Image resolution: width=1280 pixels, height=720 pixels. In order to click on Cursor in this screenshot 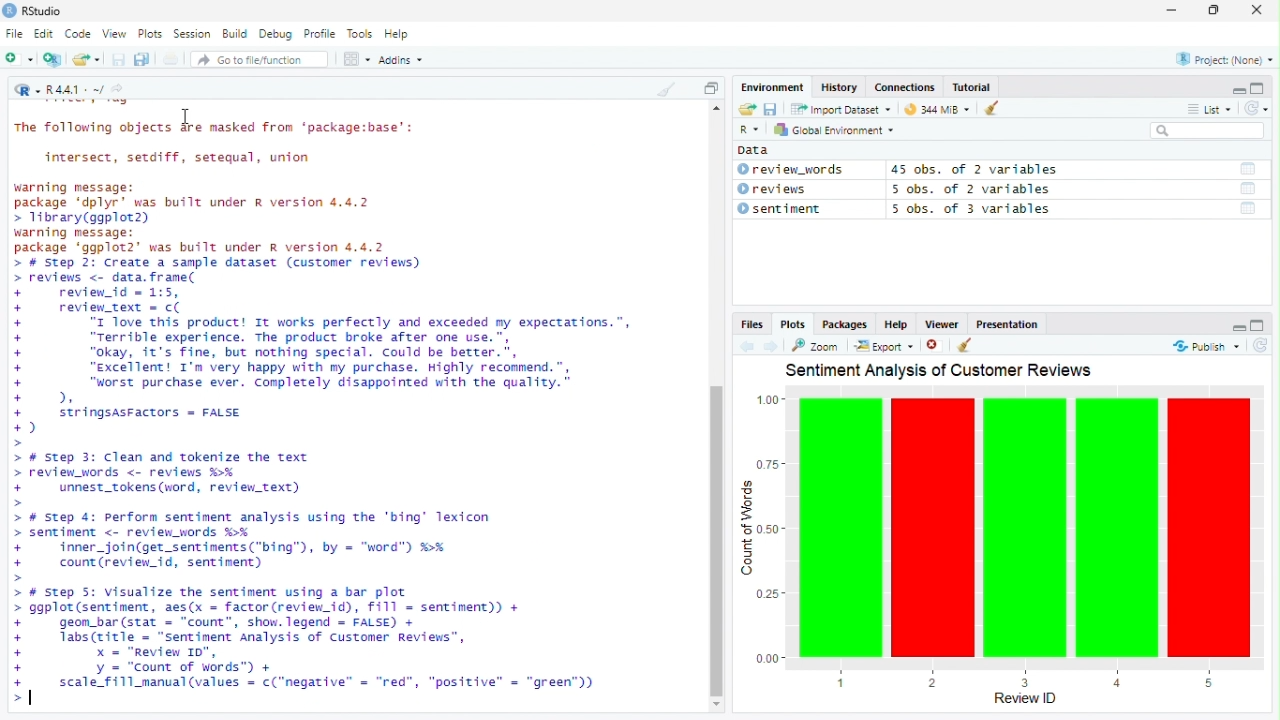, I will do `click(188, 117)`.